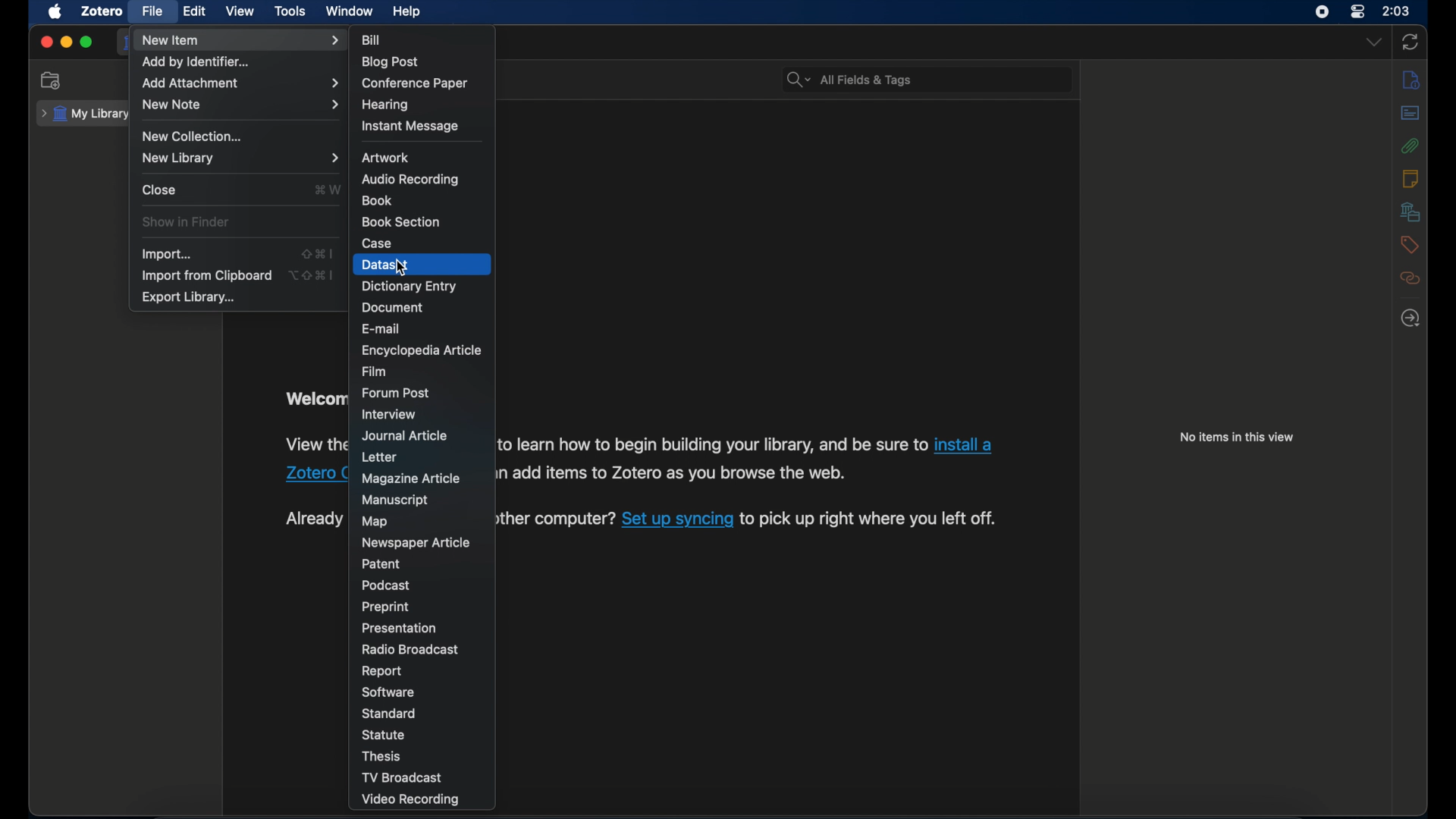 The height and width of the screenshot is (819, 1456). I want to click on add attachment, so click(240, 83).